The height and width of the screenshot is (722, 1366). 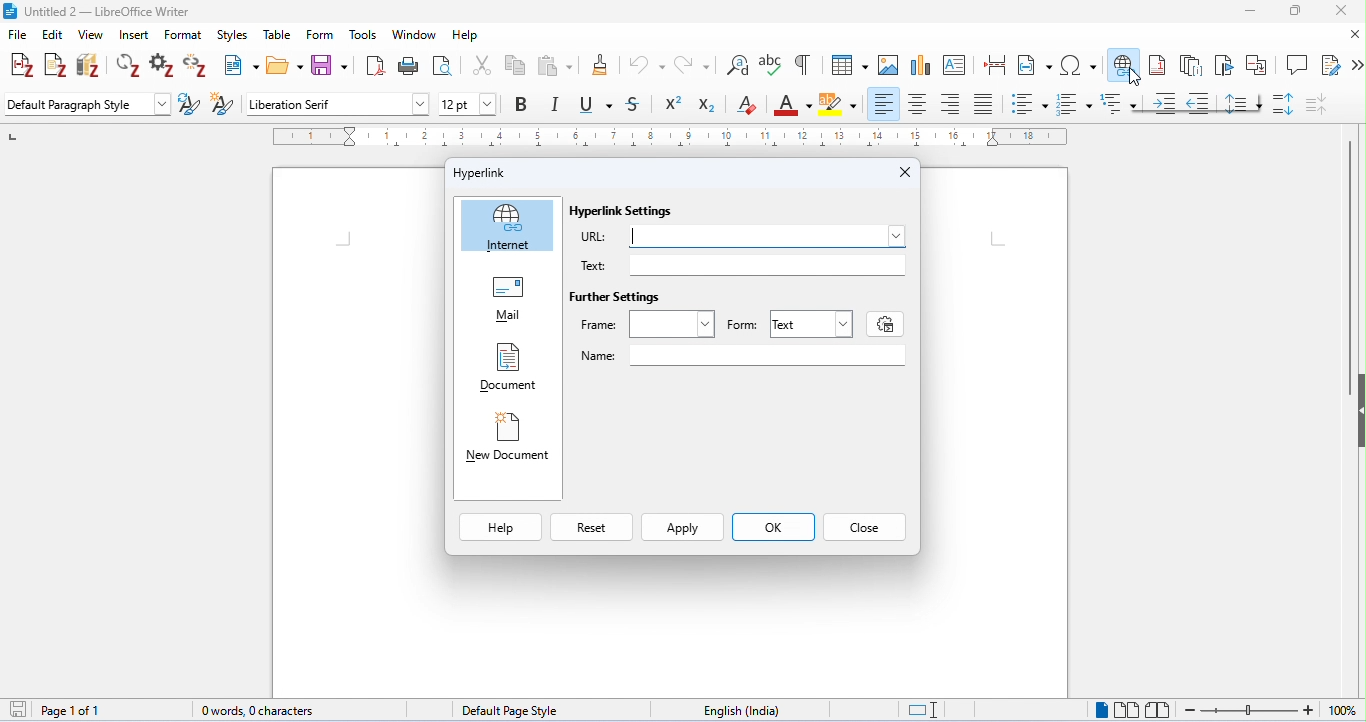 I want to click on zoom, so click(x=1270, y=710).